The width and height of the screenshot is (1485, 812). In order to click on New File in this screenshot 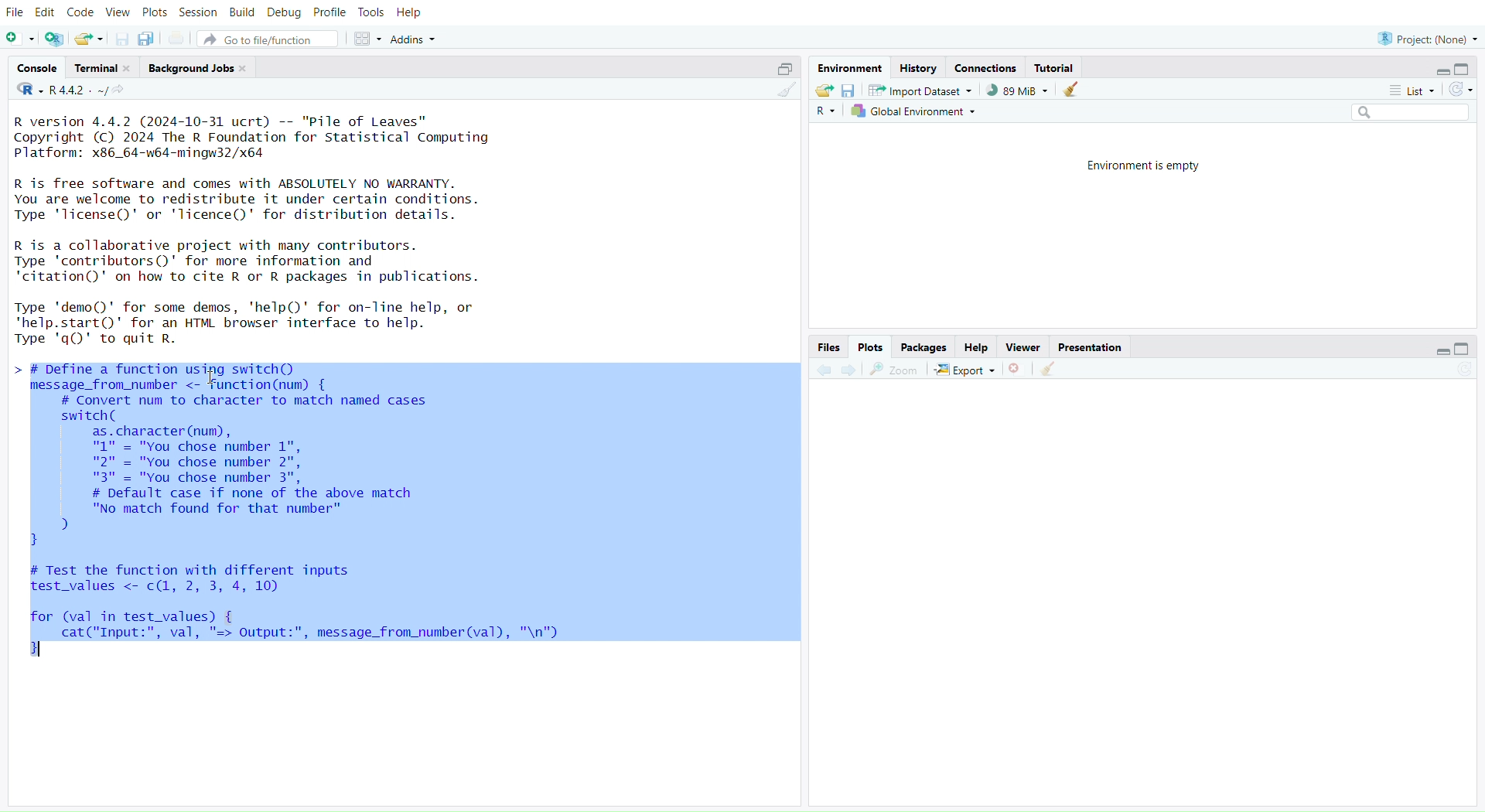, I will do `click(21, 39)`.